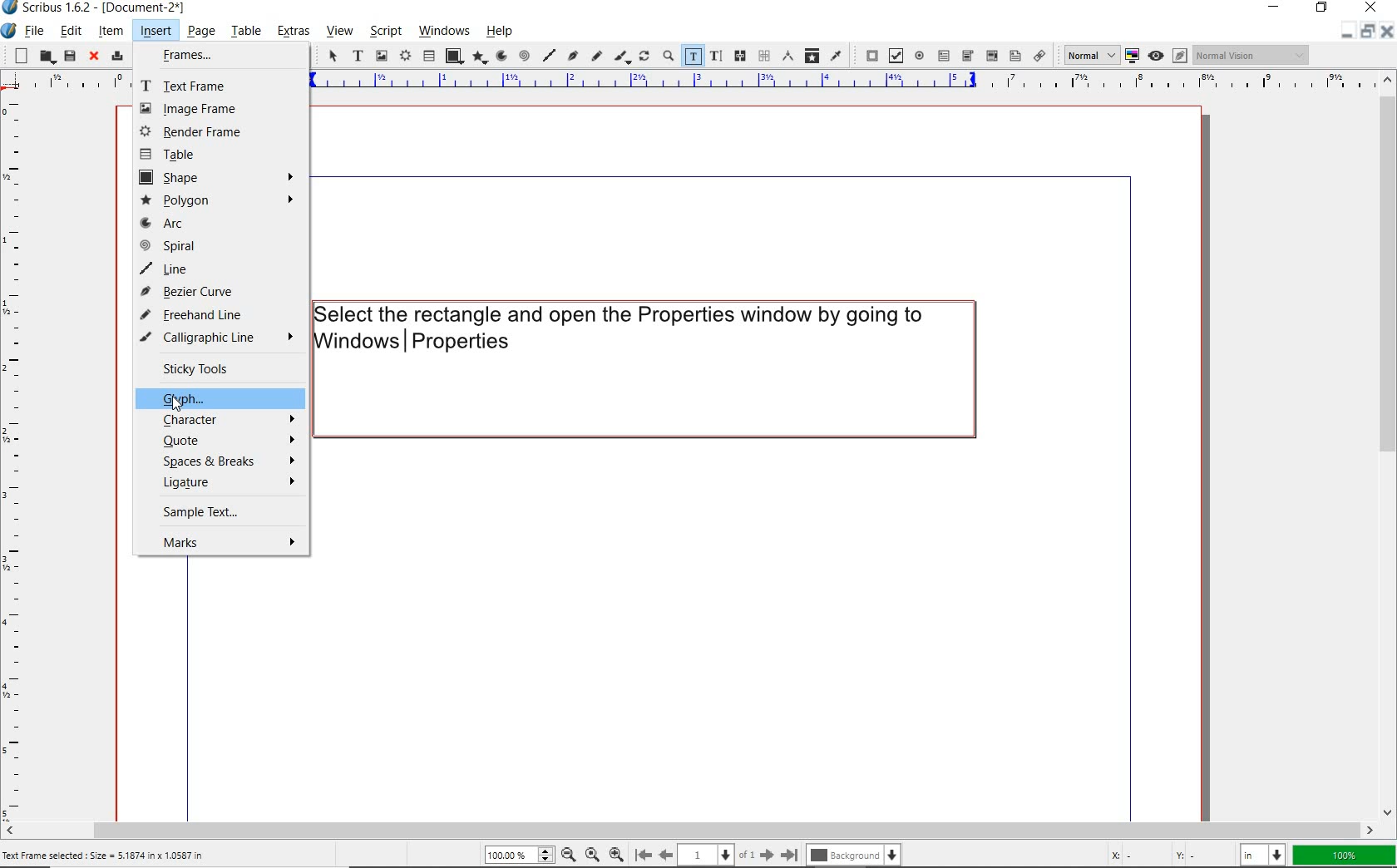  I want to click on line, so click(218, 267).